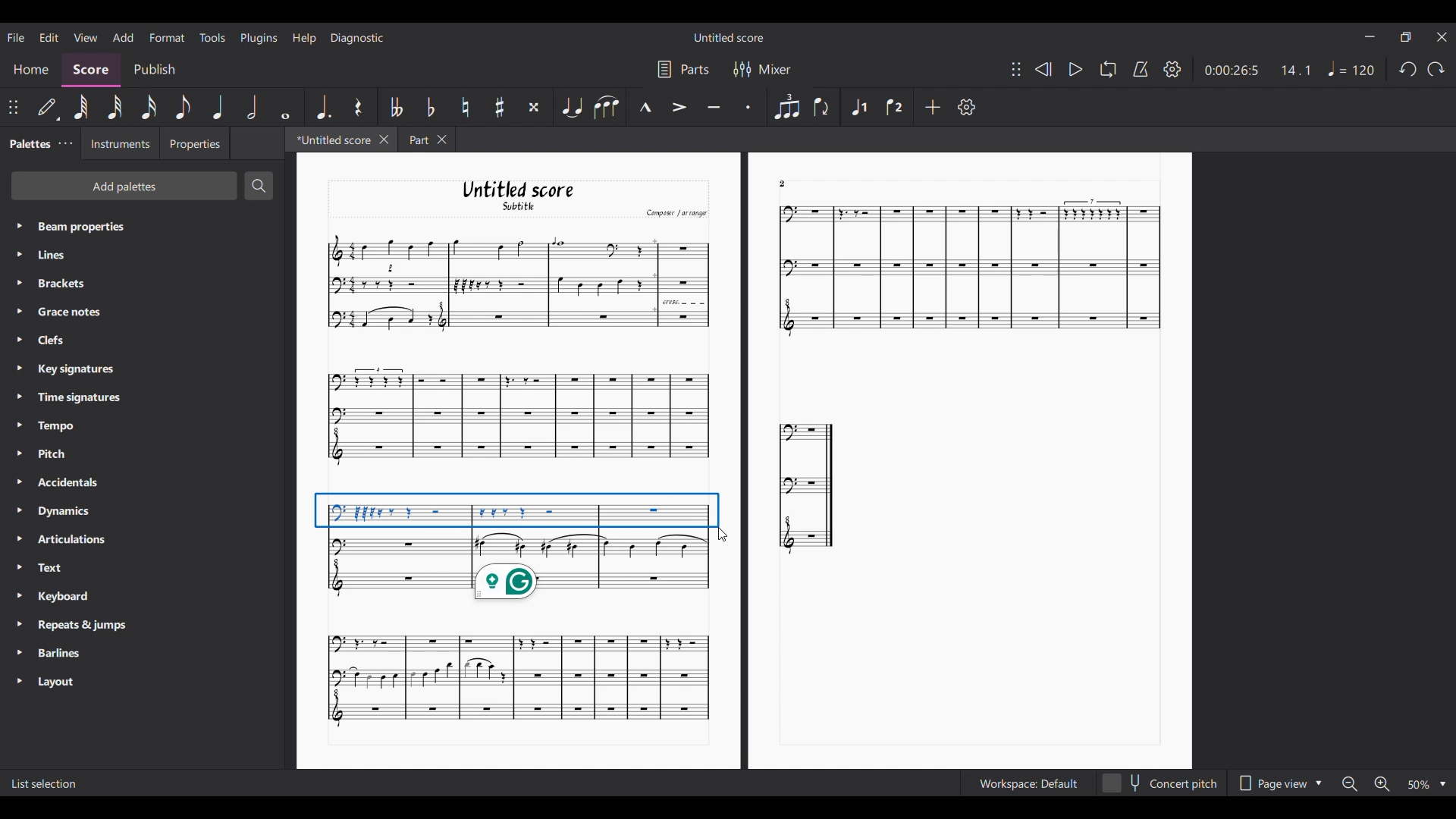  Describe the element at coordinates (1042, 69) in the screenshot. I see `Rewind` at that location.